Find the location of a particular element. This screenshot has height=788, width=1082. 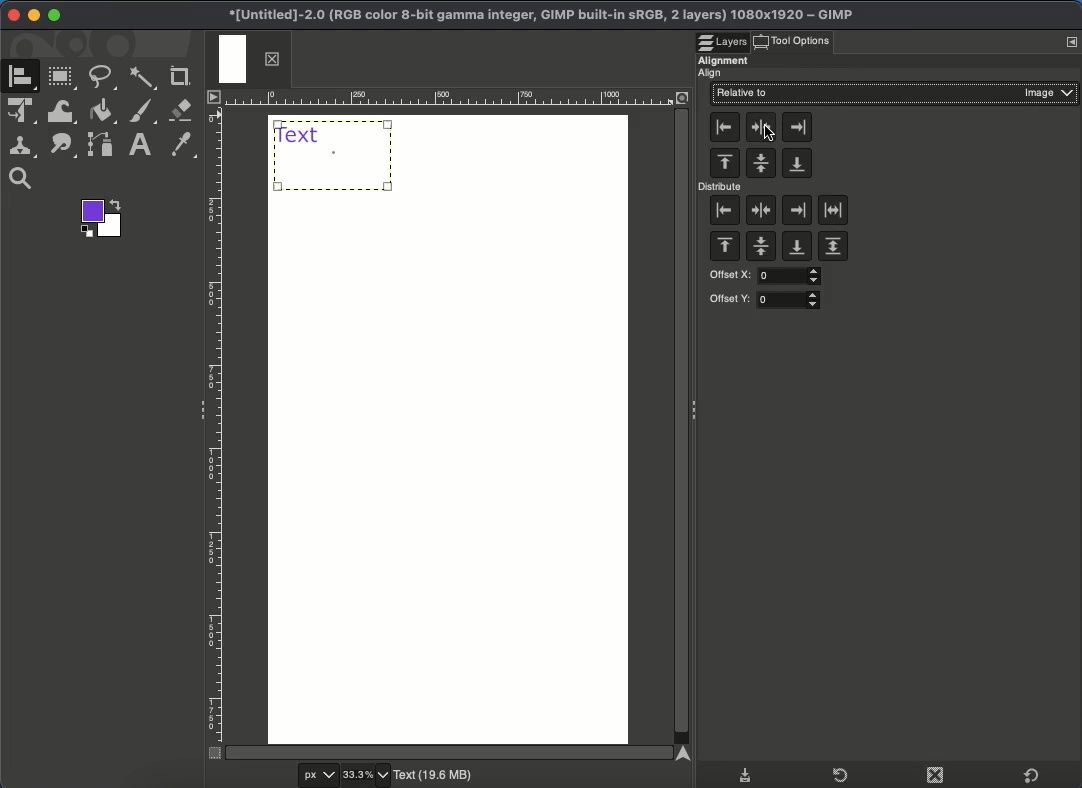

Alignment is located at coordinates (724, 58).